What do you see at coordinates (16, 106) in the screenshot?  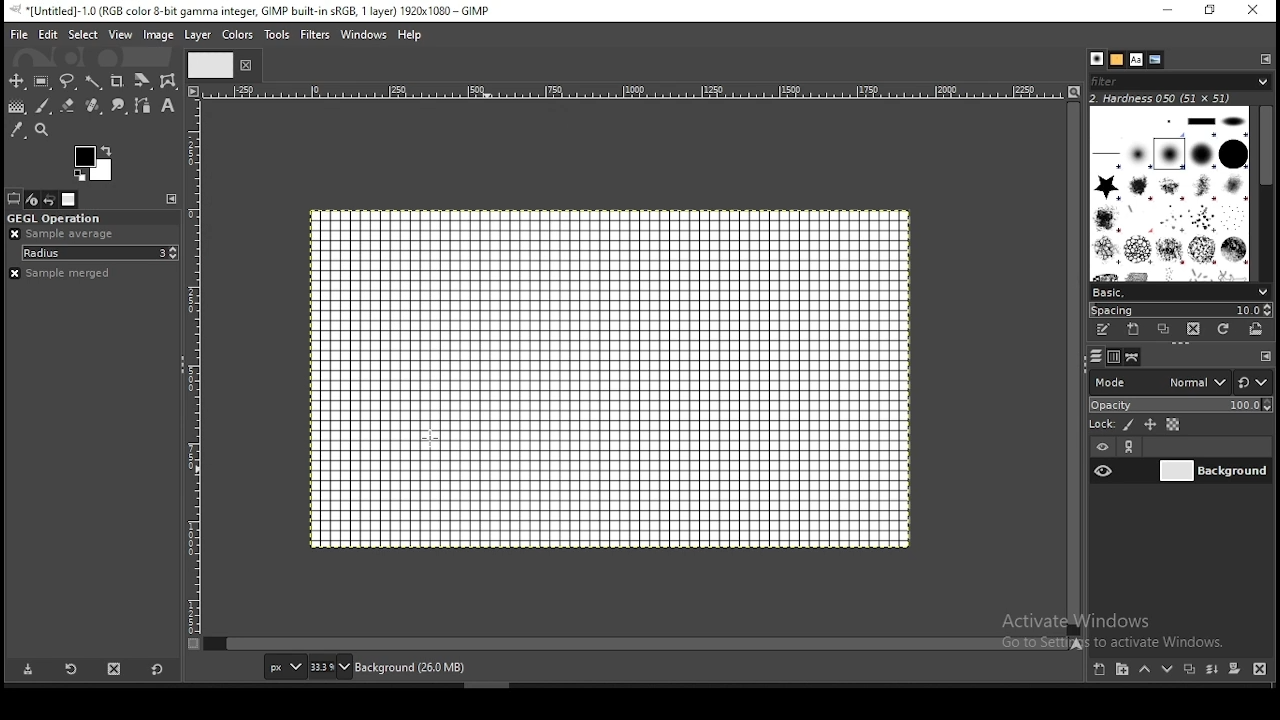 I see `gradient tool` at bounding box center [16, 106].